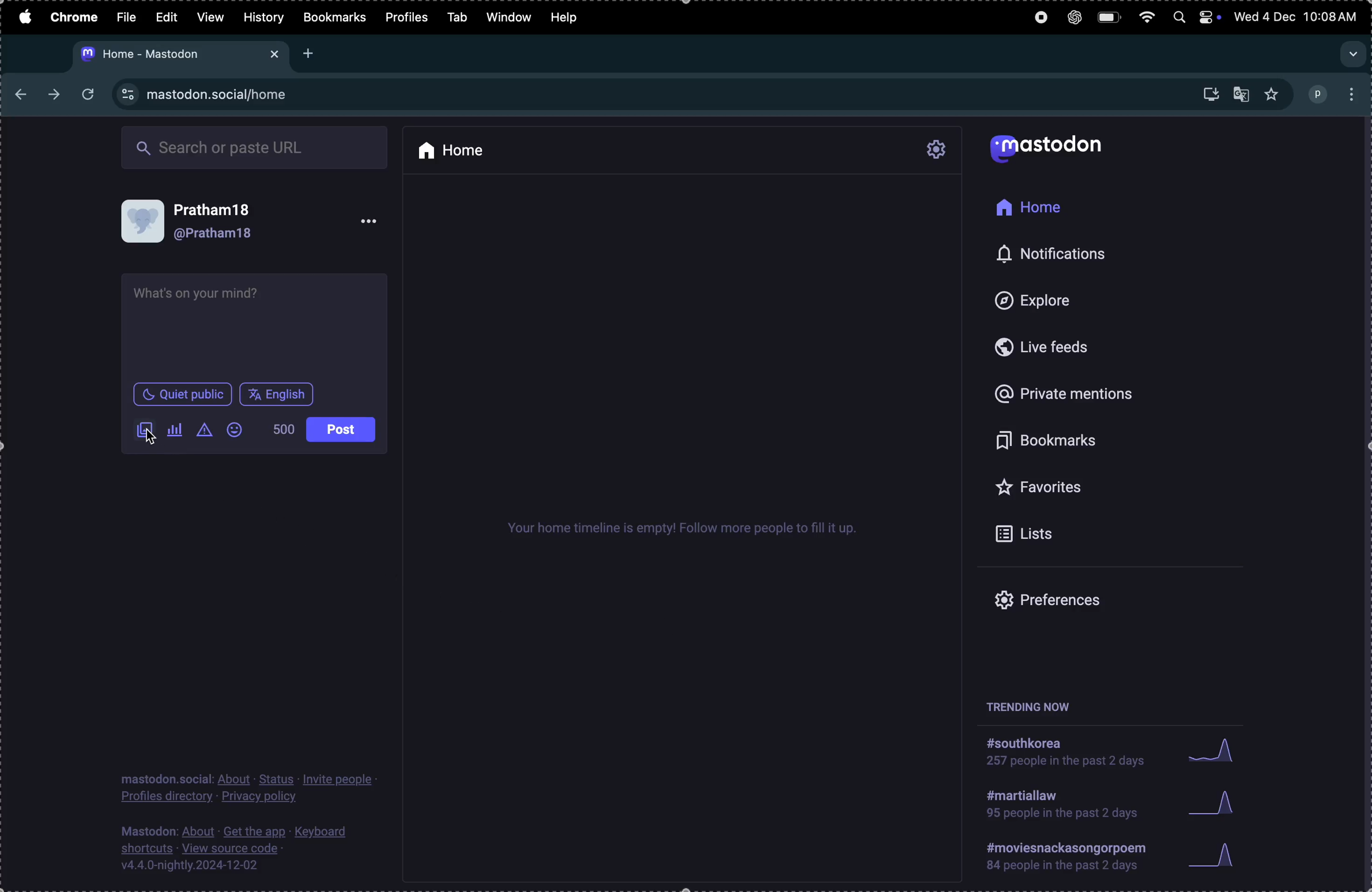 The height and width of the screenshot is (892, 1372). What do you see at coordinates (55, 95) in the screenshot?
I see `nexttab` at bounding box center [55, 95].